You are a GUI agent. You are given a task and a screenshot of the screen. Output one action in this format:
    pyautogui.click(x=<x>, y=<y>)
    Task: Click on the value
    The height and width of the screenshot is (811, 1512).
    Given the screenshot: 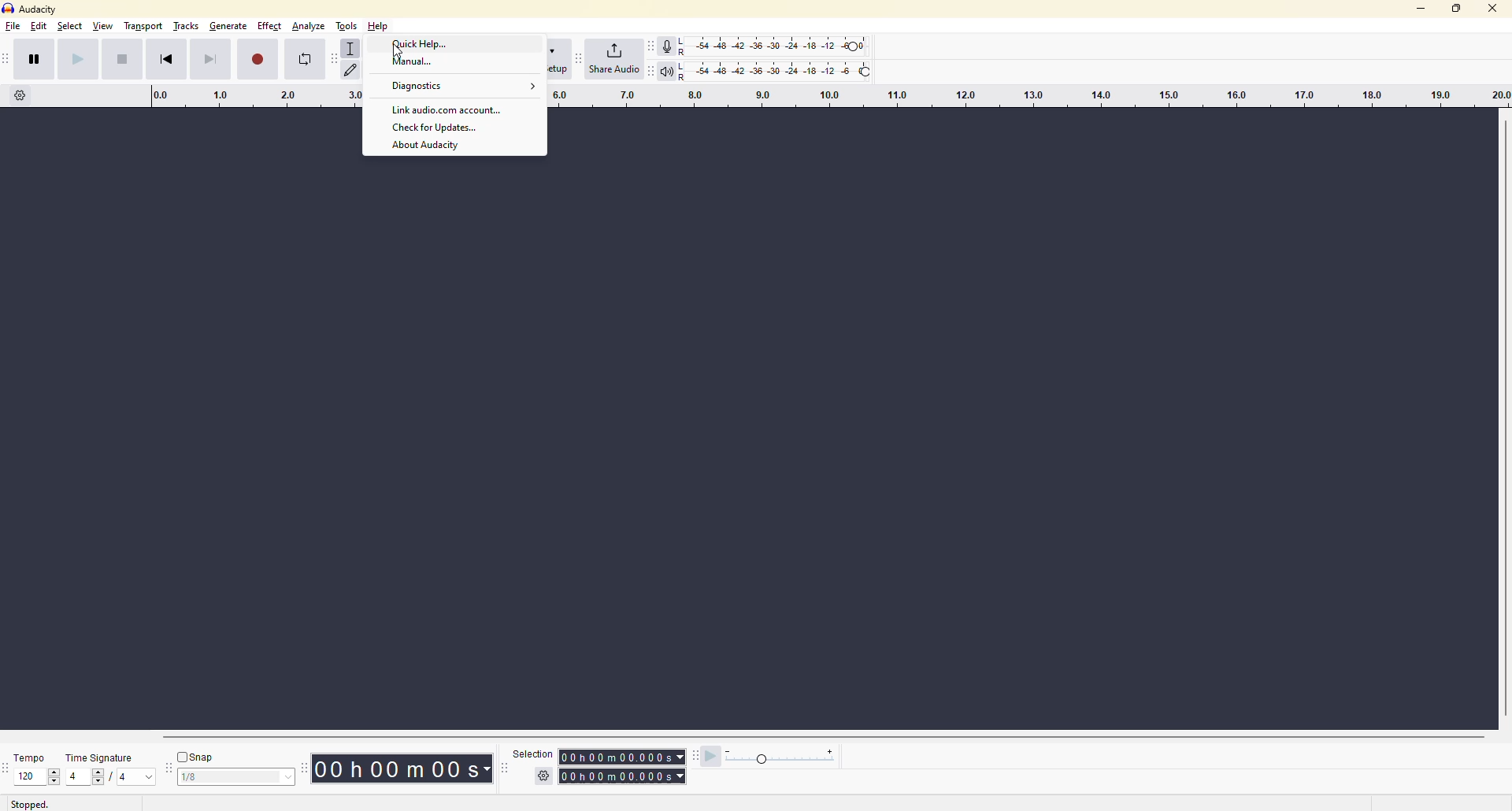 What is the action you would take?
    pyautogui.click(x=234, y=775)
    